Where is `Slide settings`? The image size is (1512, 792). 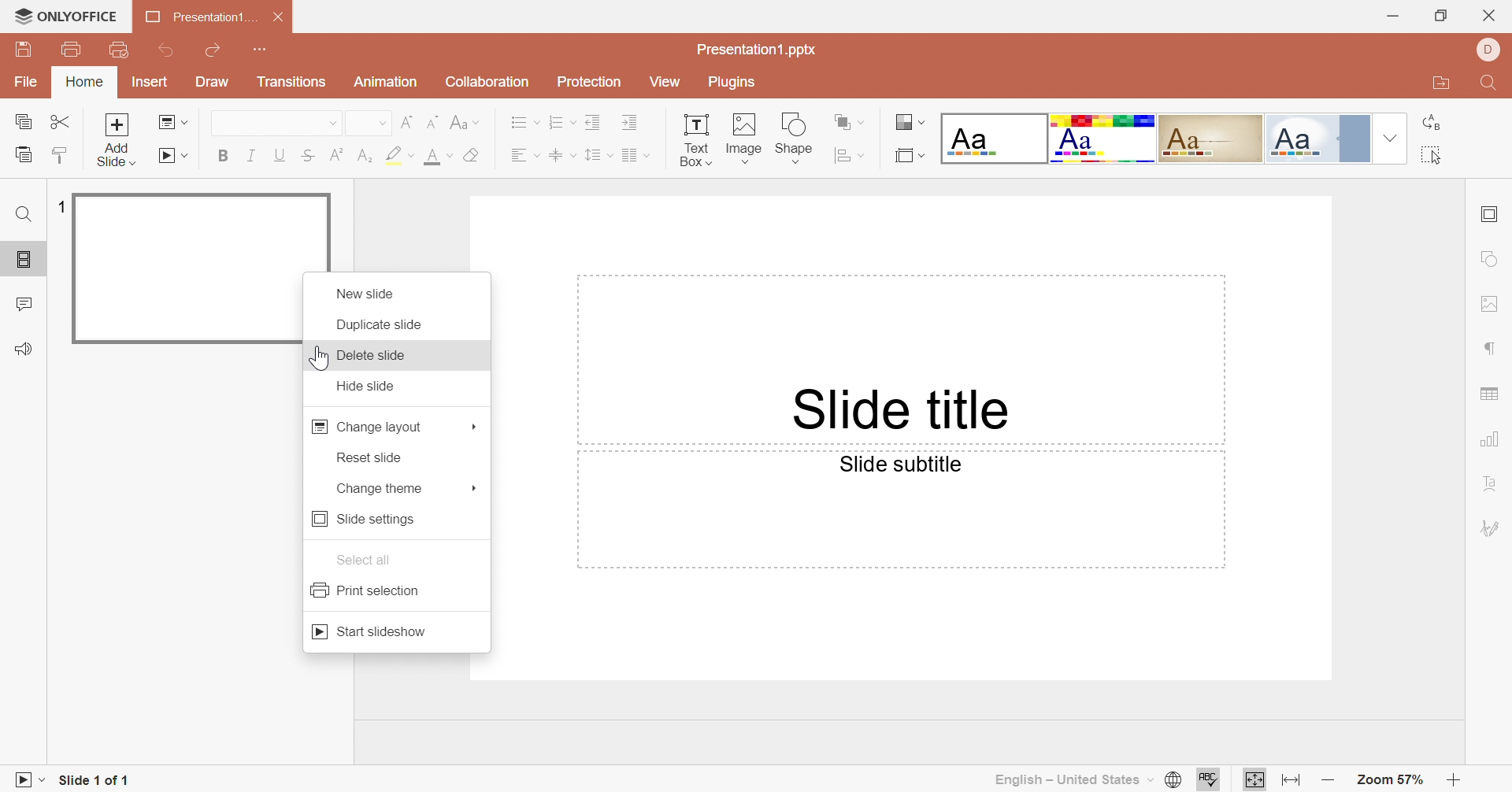 Slide settings is located at coordinates (365, 517).